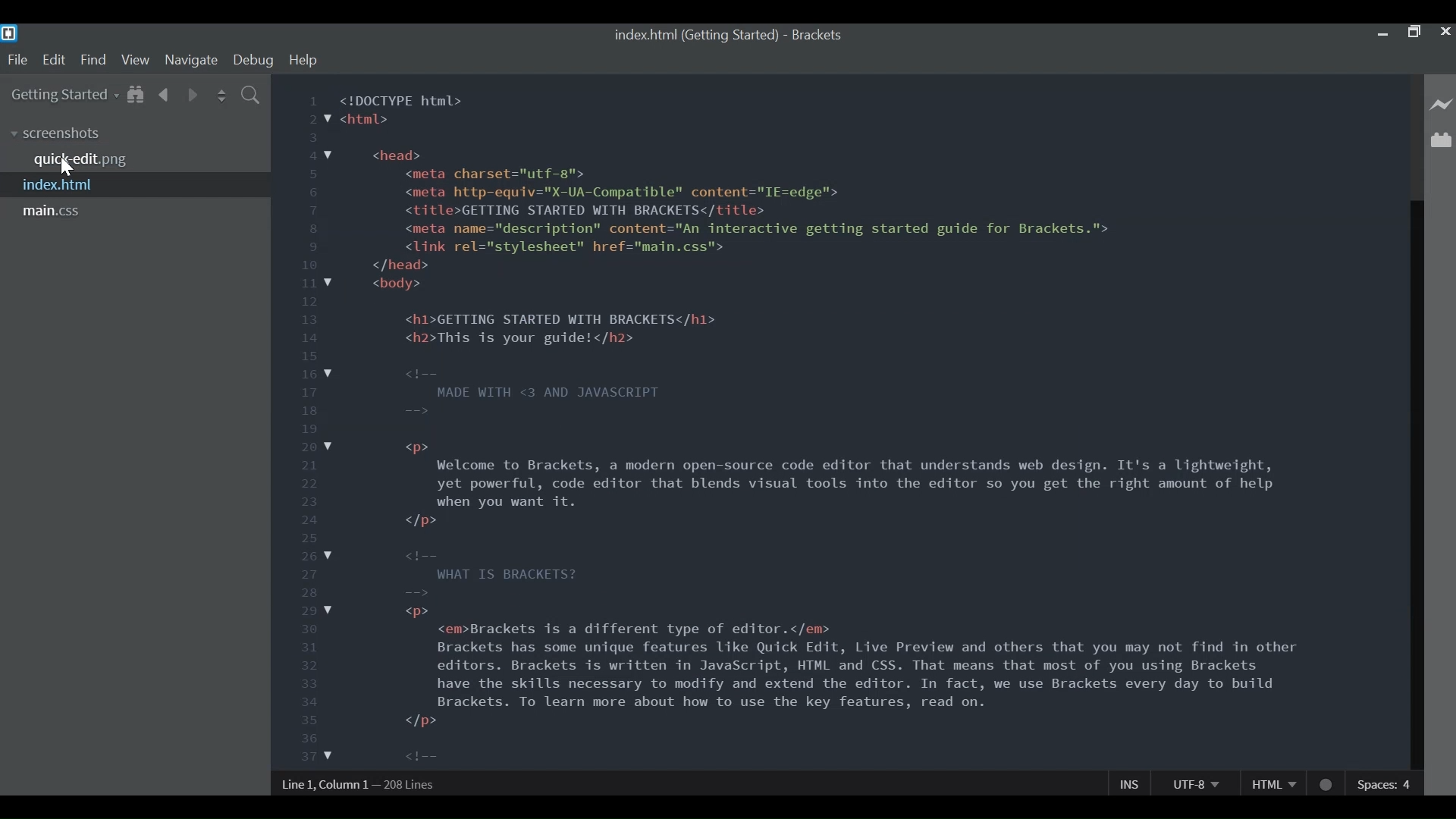  What do you see at coordinates (11, 33) in the screenshot?
I see `Bracket Desktop Icon` at bounding box center [11, 33].